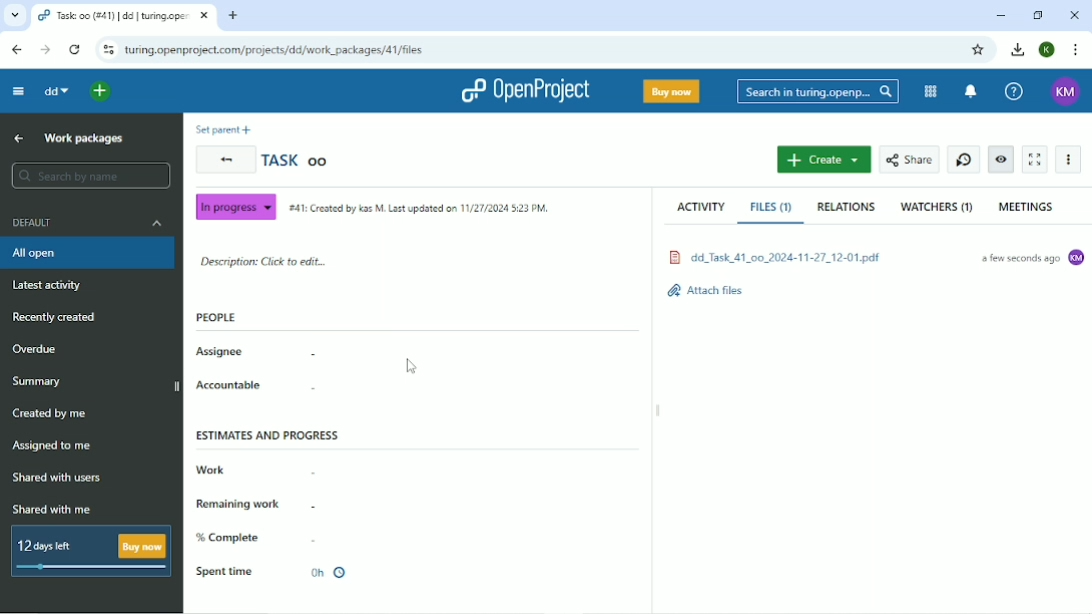 The height and width of the screenshot is (614, 1092). Describe the element at coordinates (219, 317) in the screenshot. I see `People` at that location.